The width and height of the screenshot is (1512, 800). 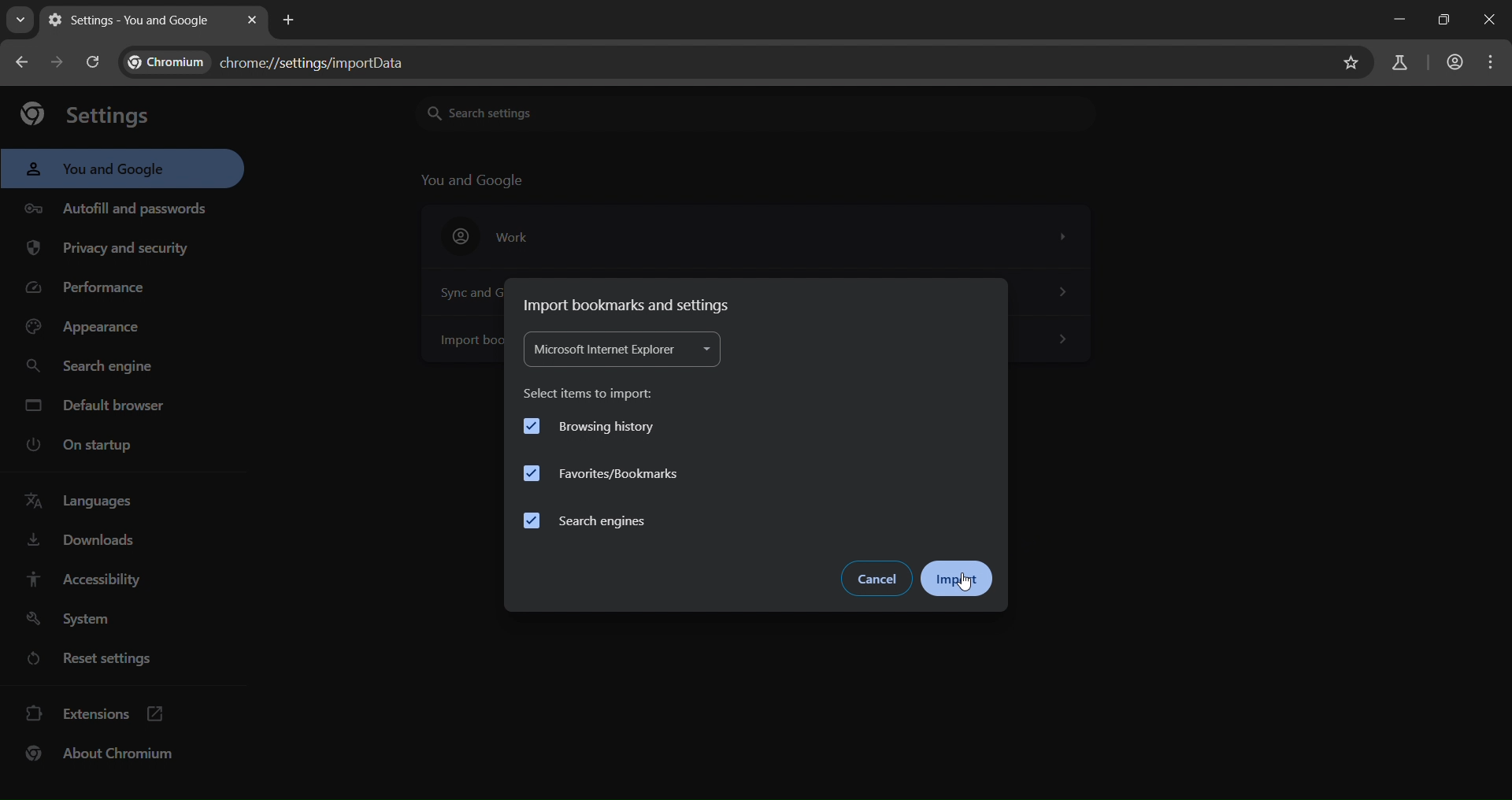 I want to click on earch engine, so click(x=91, y=365).